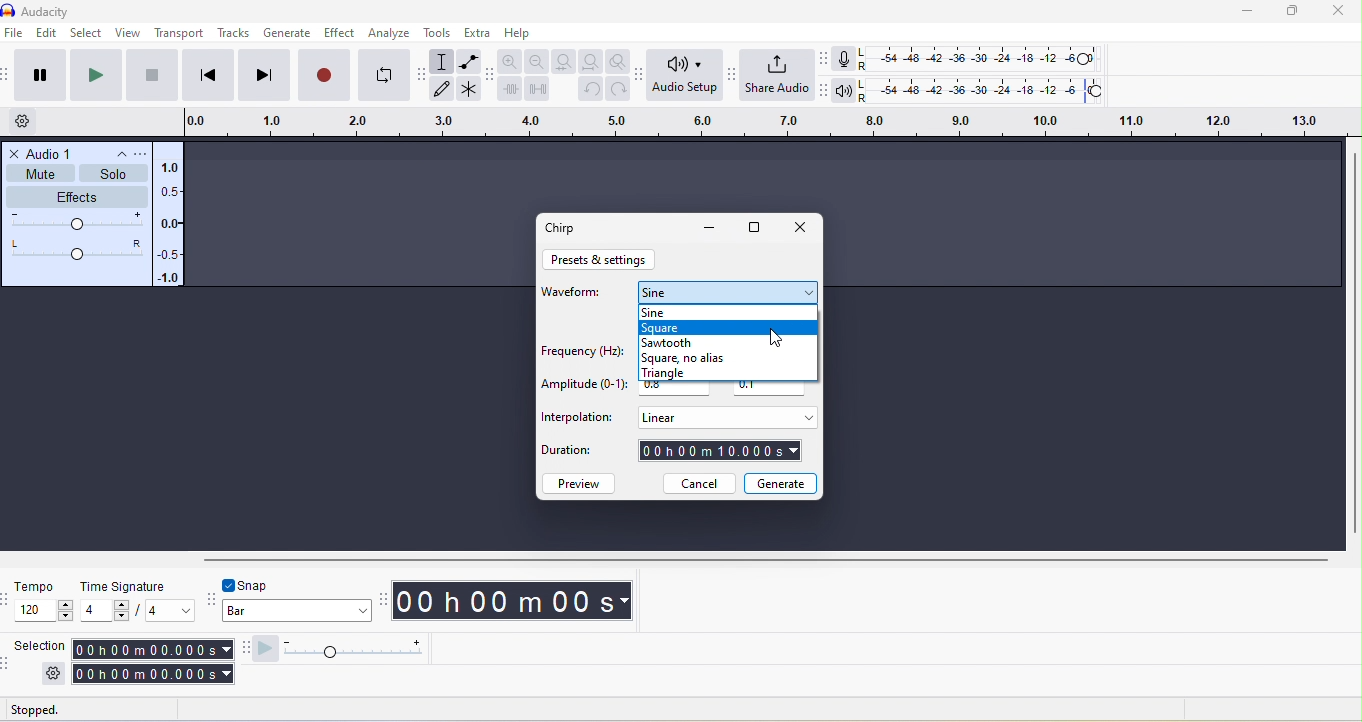 This screenshot has width=1362, height=722. I want to click on pause, so click(38, 75).